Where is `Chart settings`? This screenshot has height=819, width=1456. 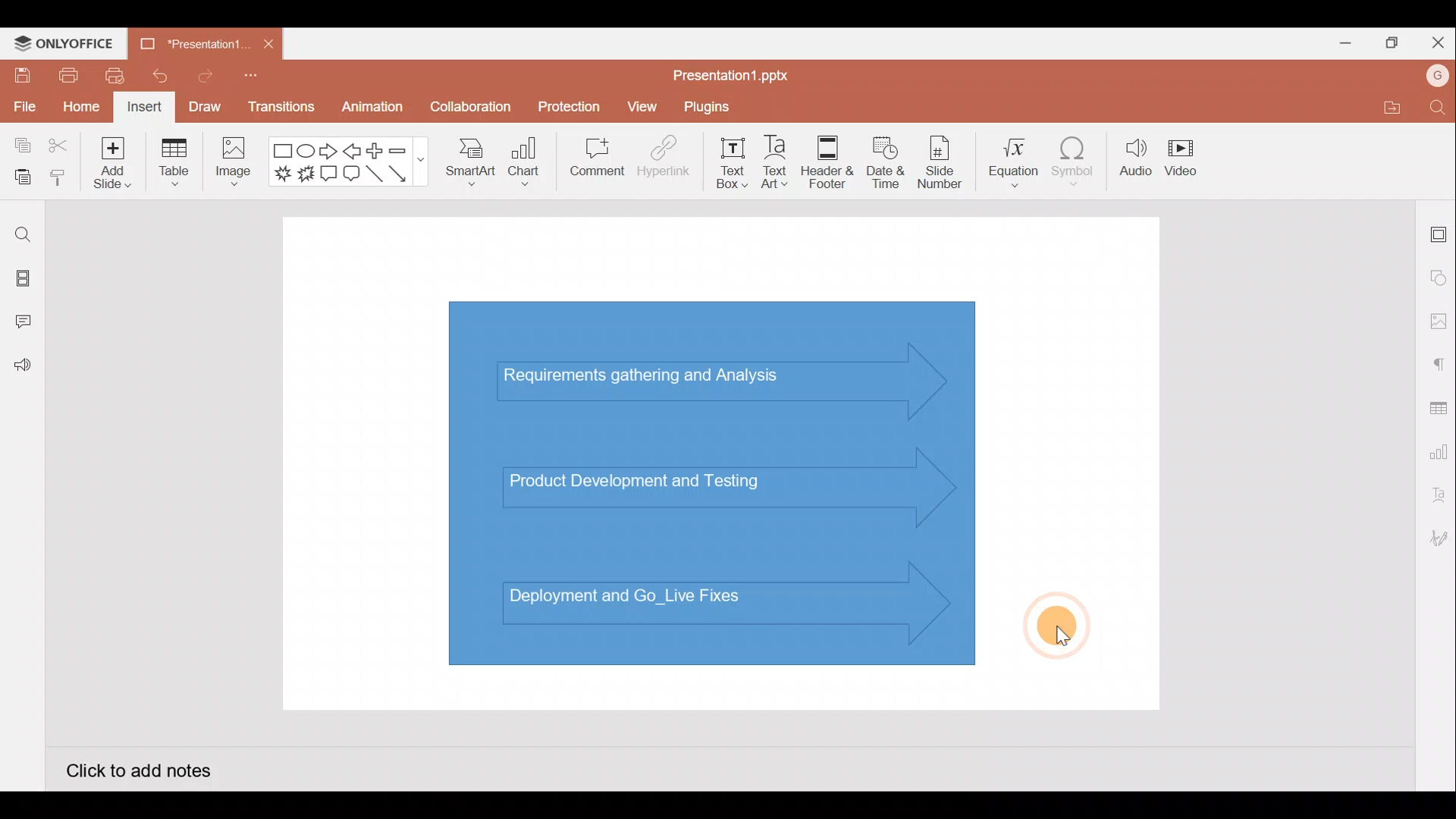 Chart settings is located at coordinates (1436, 449).